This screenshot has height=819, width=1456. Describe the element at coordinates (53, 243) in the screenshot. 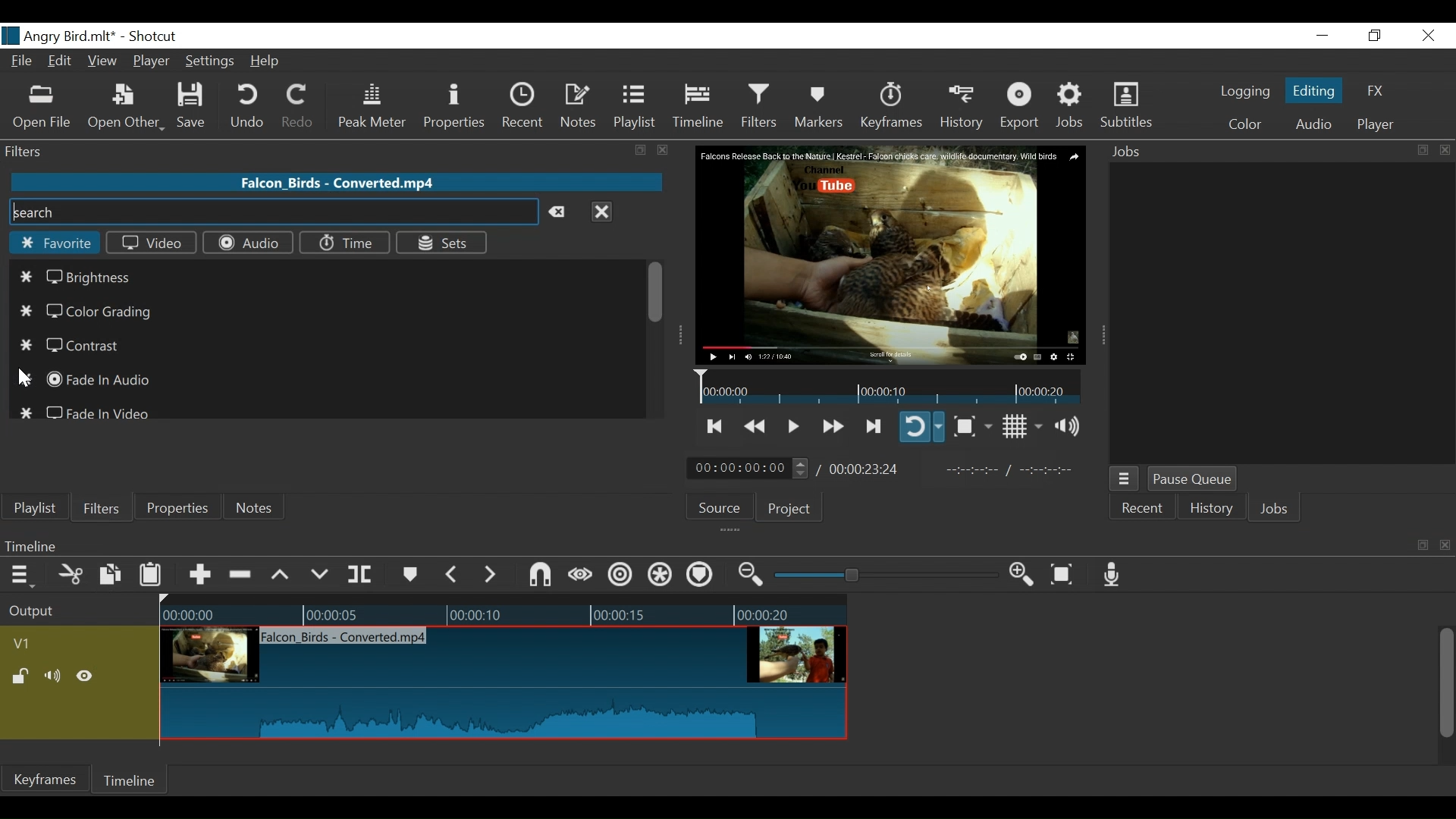

I see `Favorite` at that location.